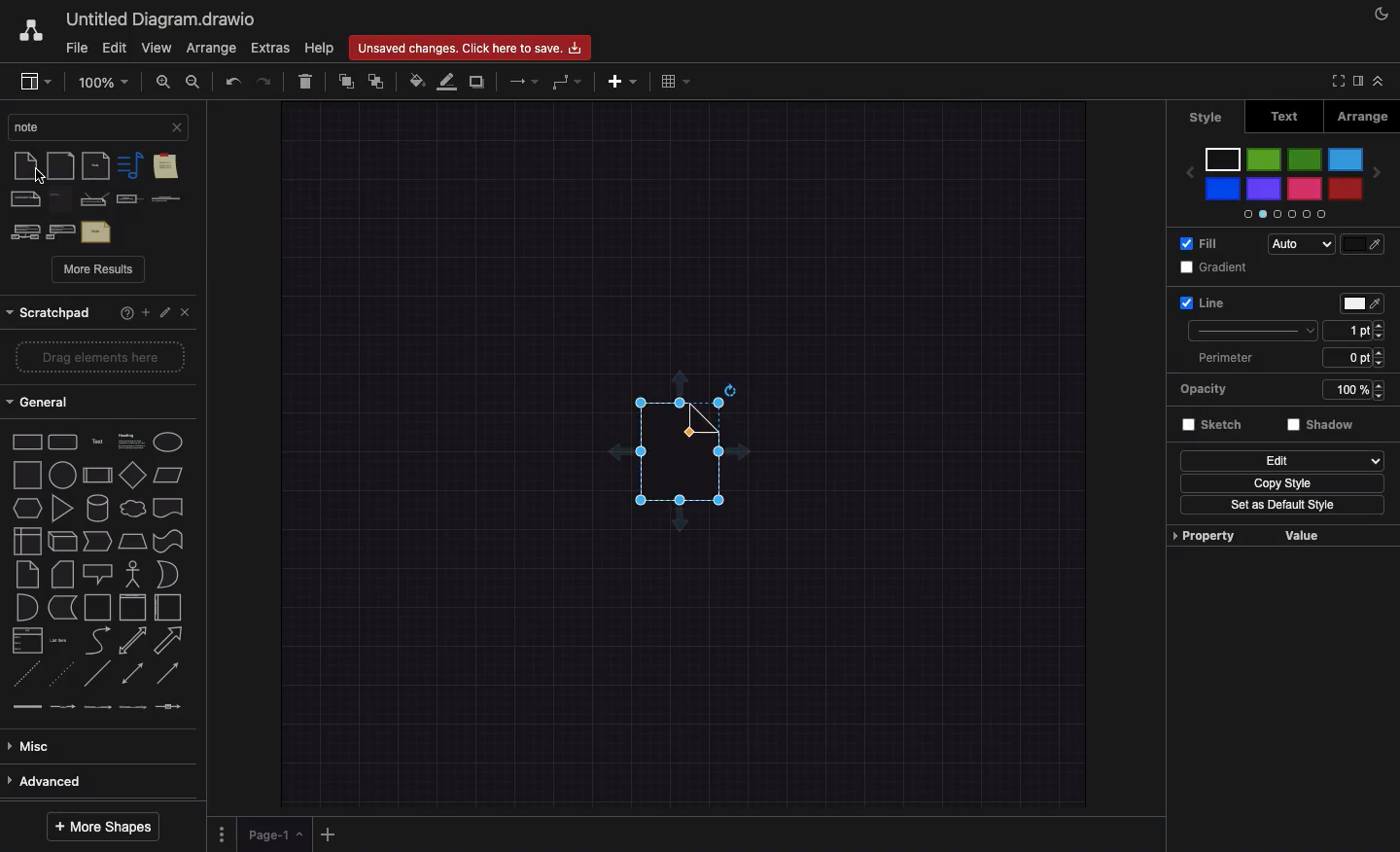 The height and width of the screenshot is (852, 1400). I want to click on dashed, so click(25, 680).